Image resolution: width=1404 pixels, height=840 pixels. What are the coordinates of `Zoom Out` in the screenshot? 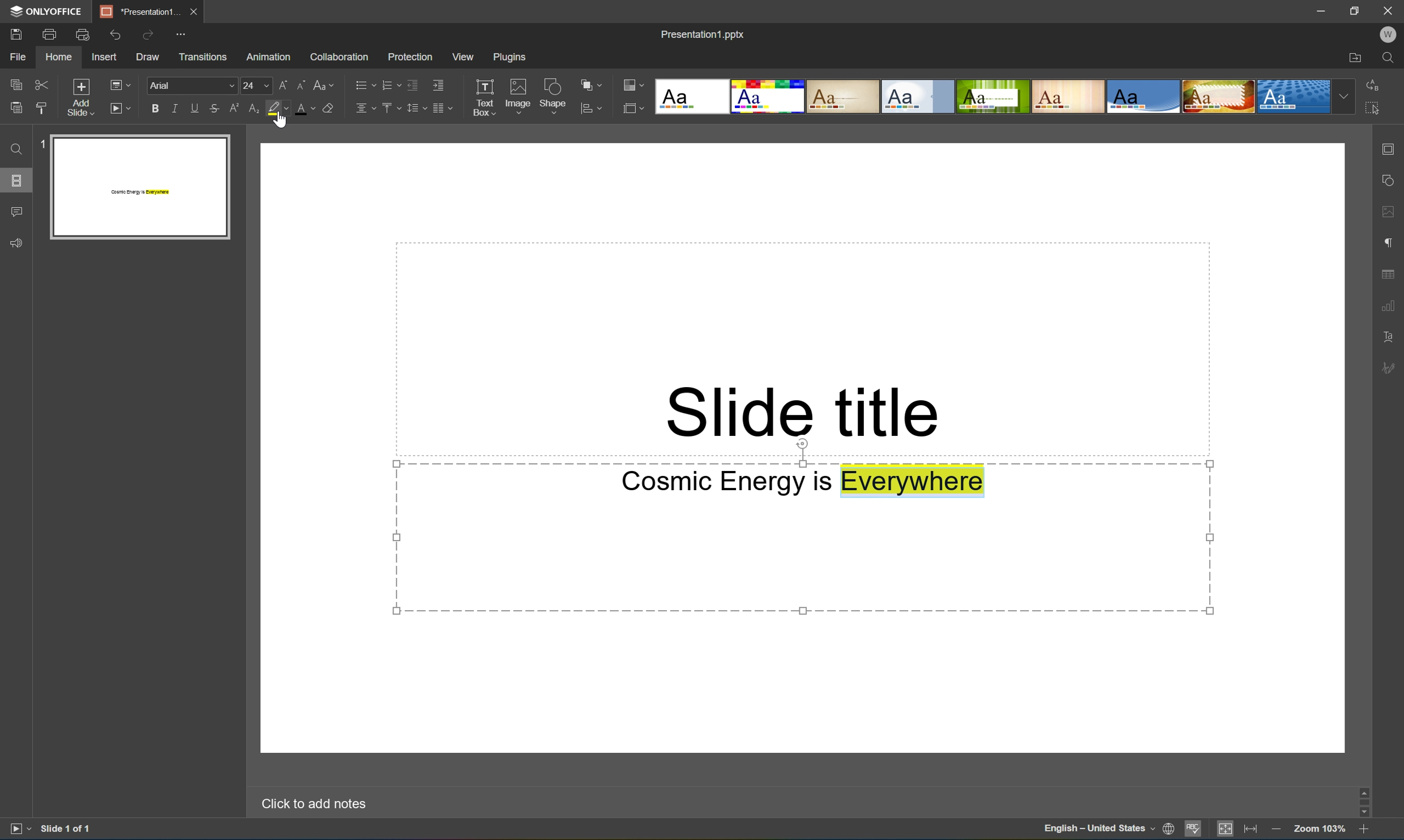 It's located at (1275, 829).